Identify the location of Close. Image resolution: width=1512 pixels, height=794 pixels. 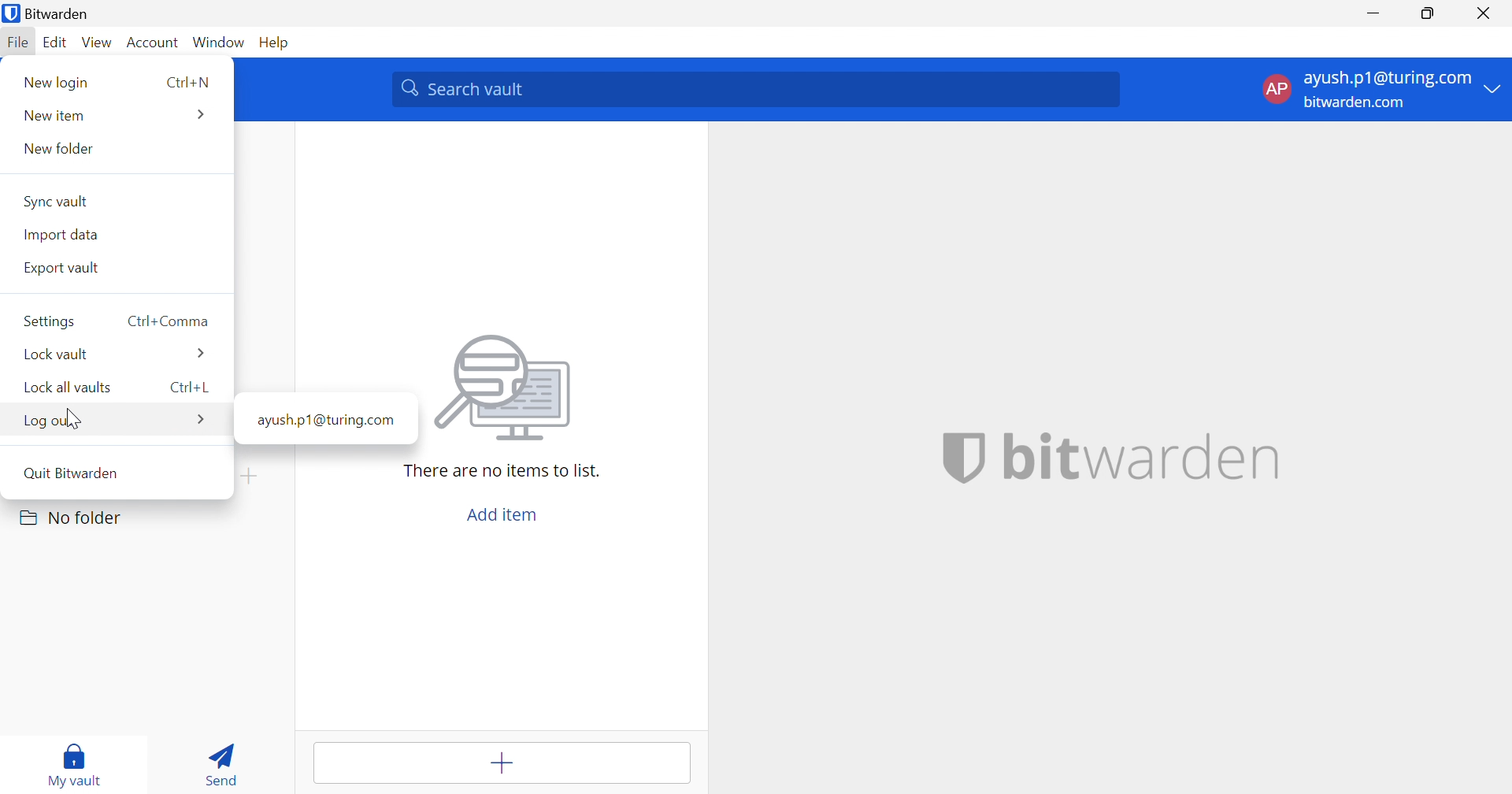
(1485, 14).